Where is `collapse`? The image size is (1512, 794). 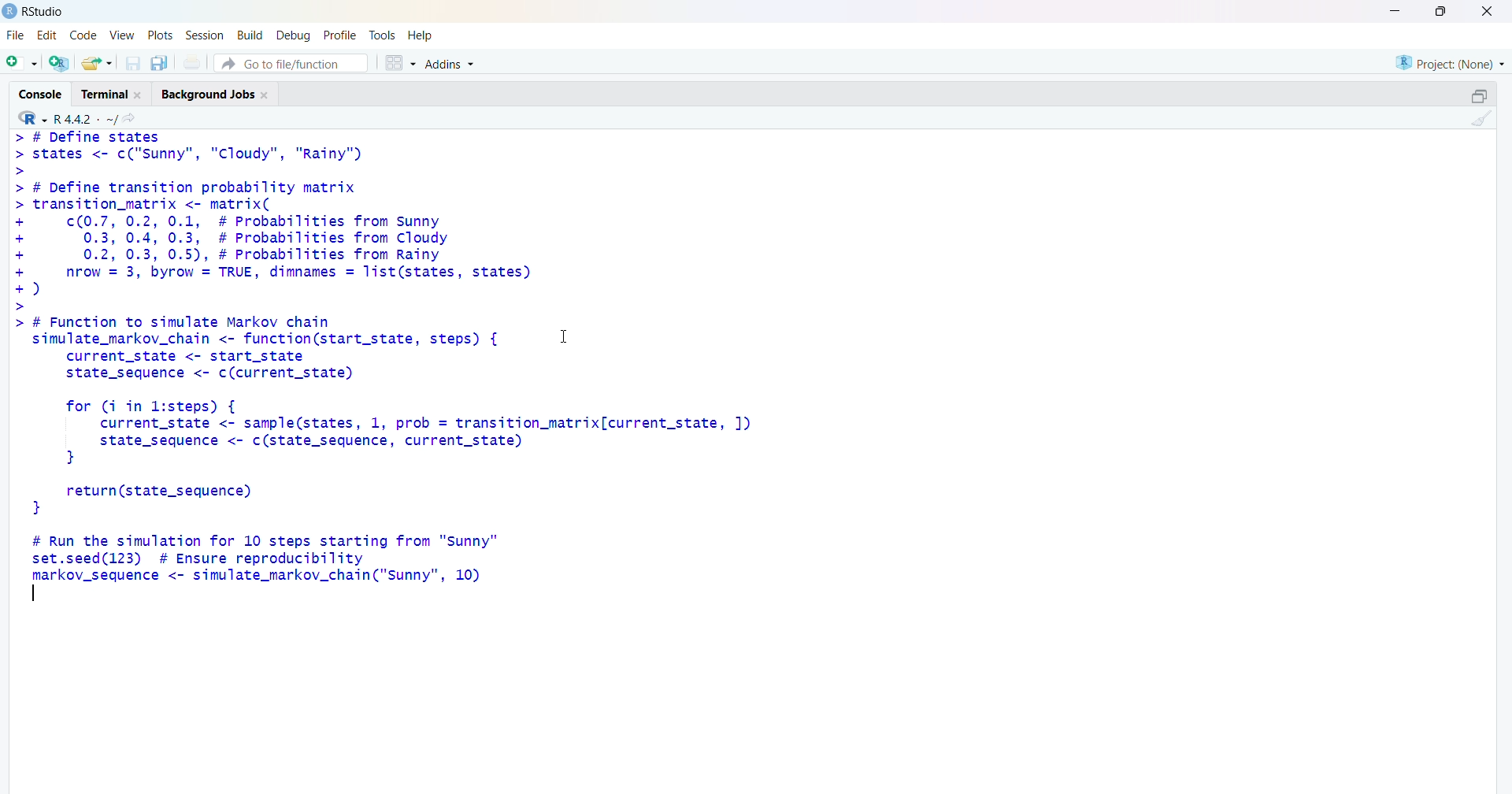
collapse is located at coordinates (1478, 96).